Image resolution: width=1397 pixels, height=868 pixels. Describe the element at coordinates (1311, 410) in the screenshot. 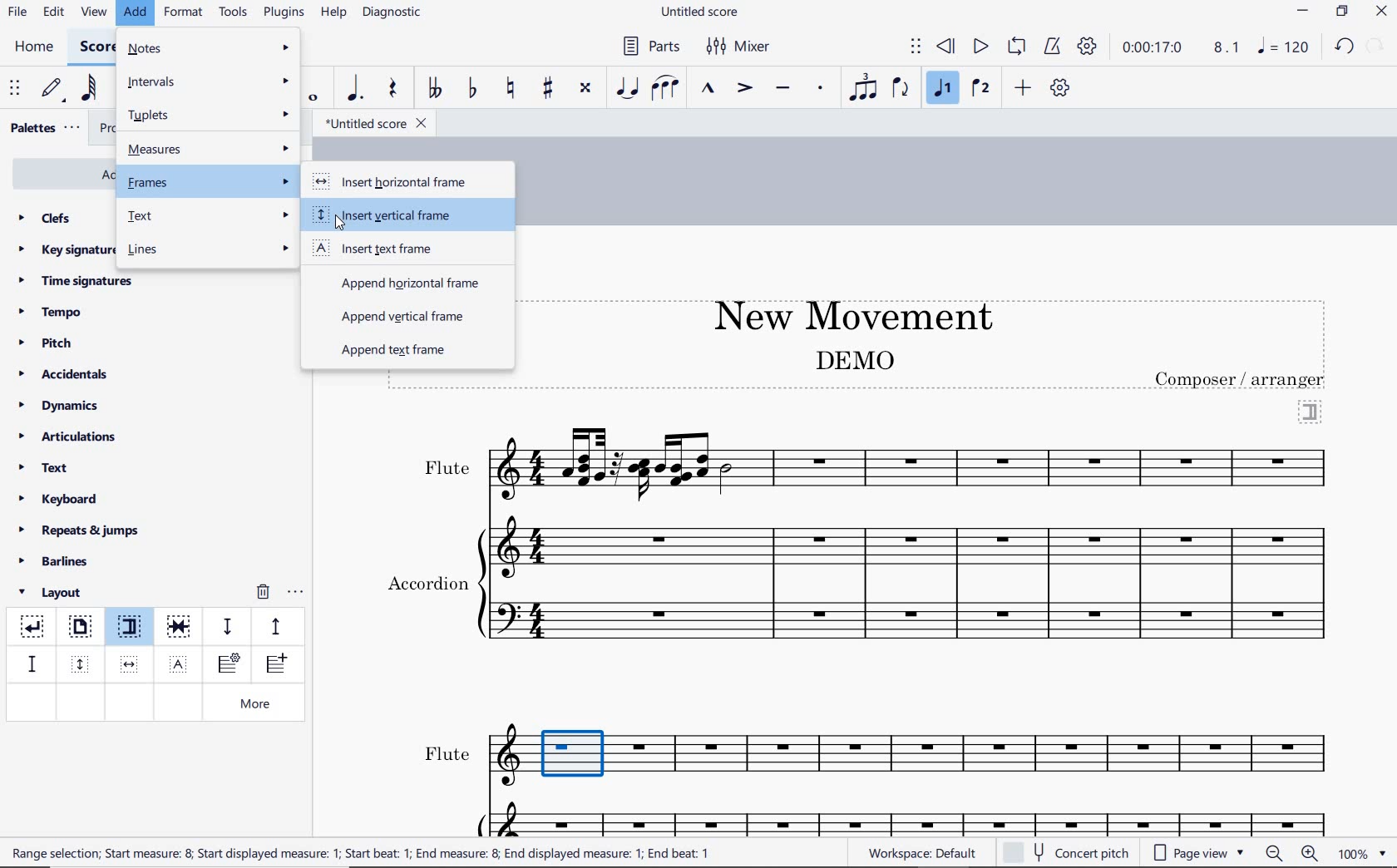

I see `section break` at that location.